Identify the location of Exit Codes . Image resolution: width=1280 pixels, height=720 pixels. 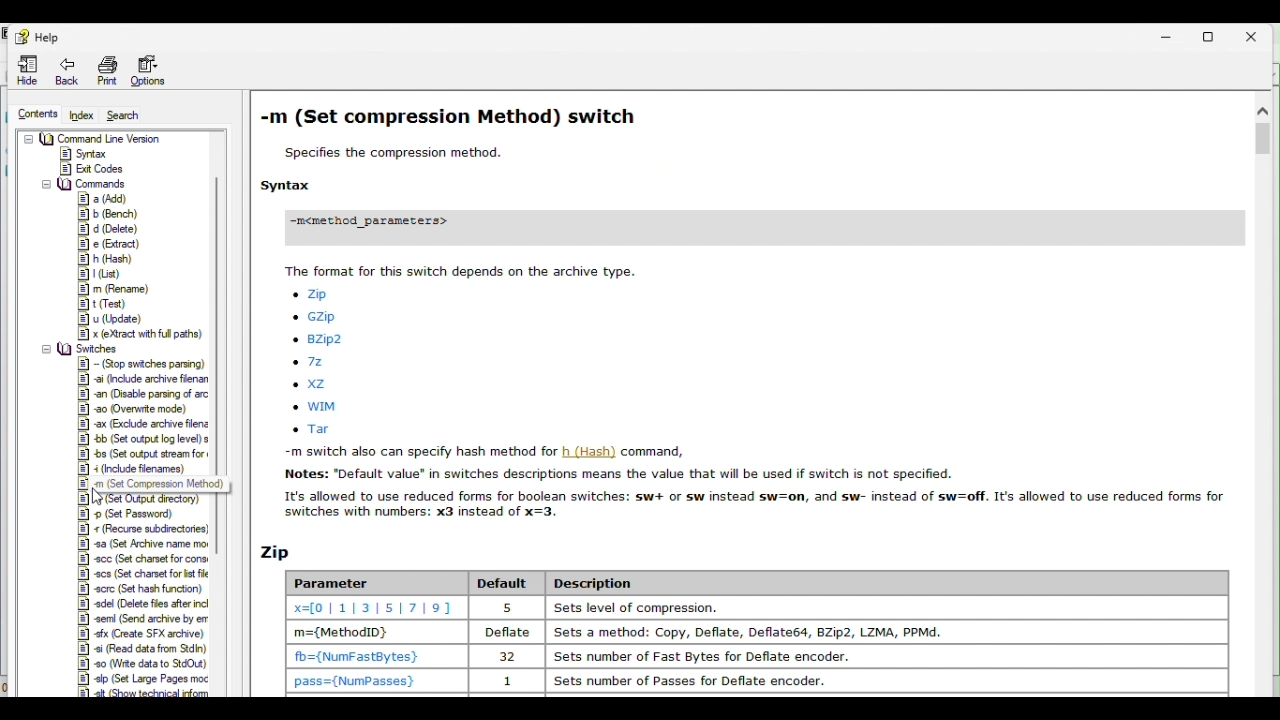
(94, 168).